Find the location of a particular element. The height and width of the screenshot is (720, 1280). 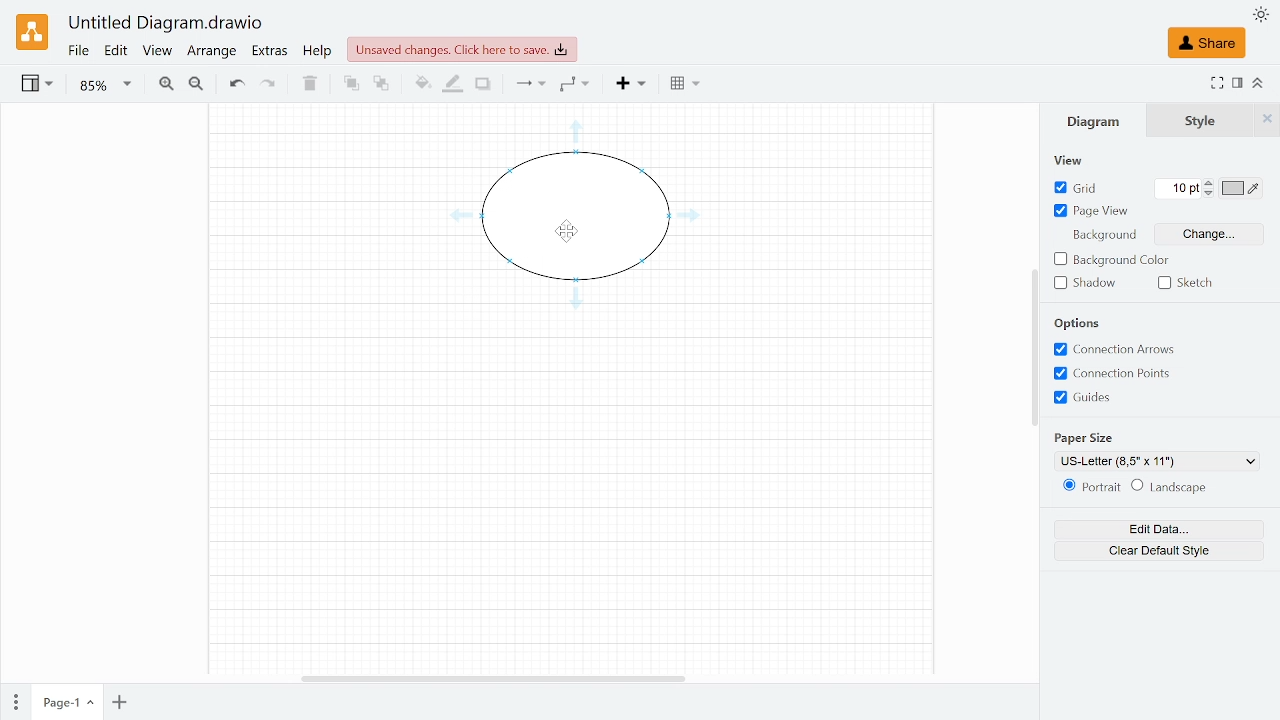

Full screen is located at coordinates (1216, 83).